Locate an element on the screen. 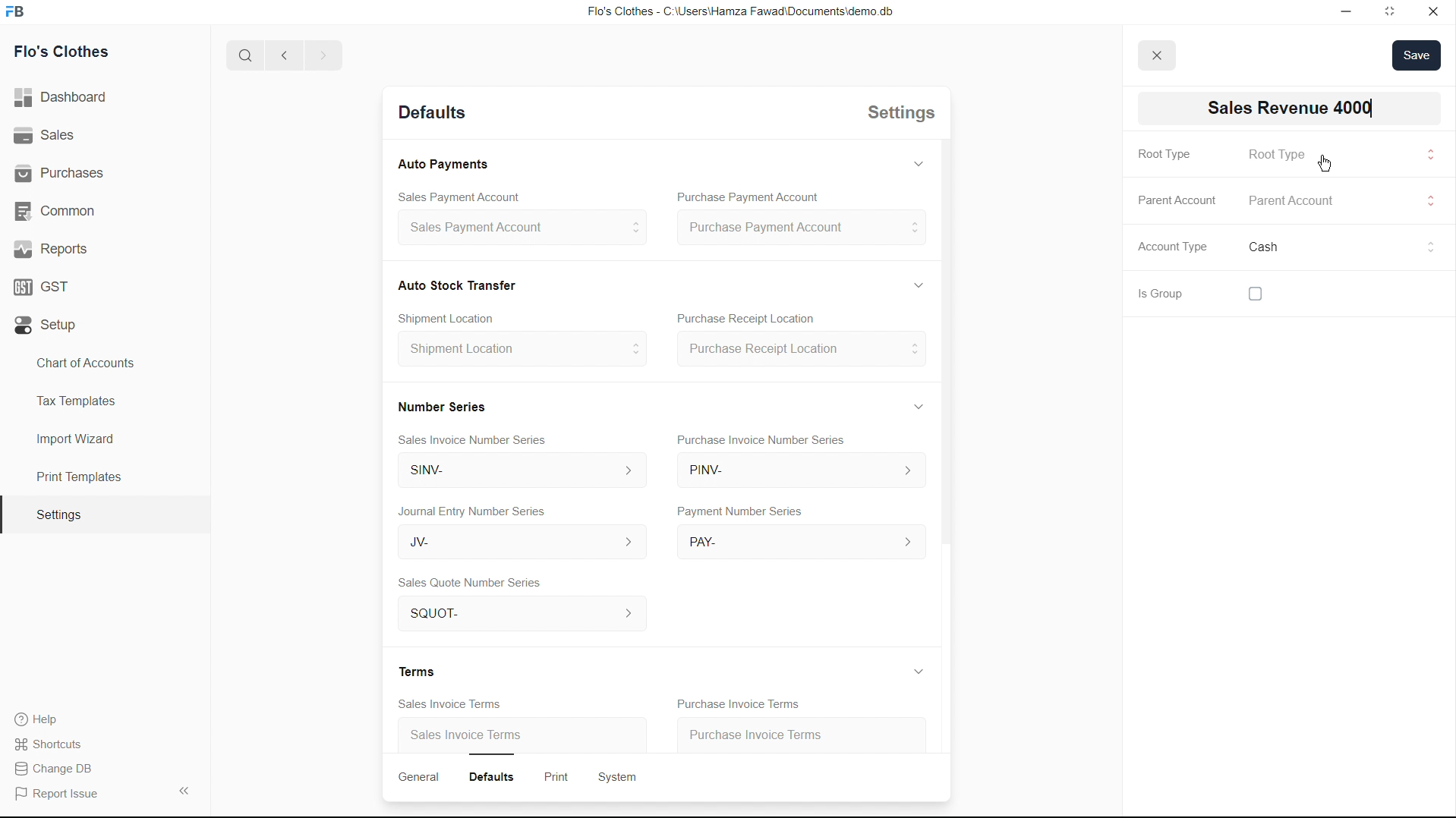 Image resolution: width=1456 pixels, height=818 pixels. INew Account 03] is located at coordinates (1291, 108).